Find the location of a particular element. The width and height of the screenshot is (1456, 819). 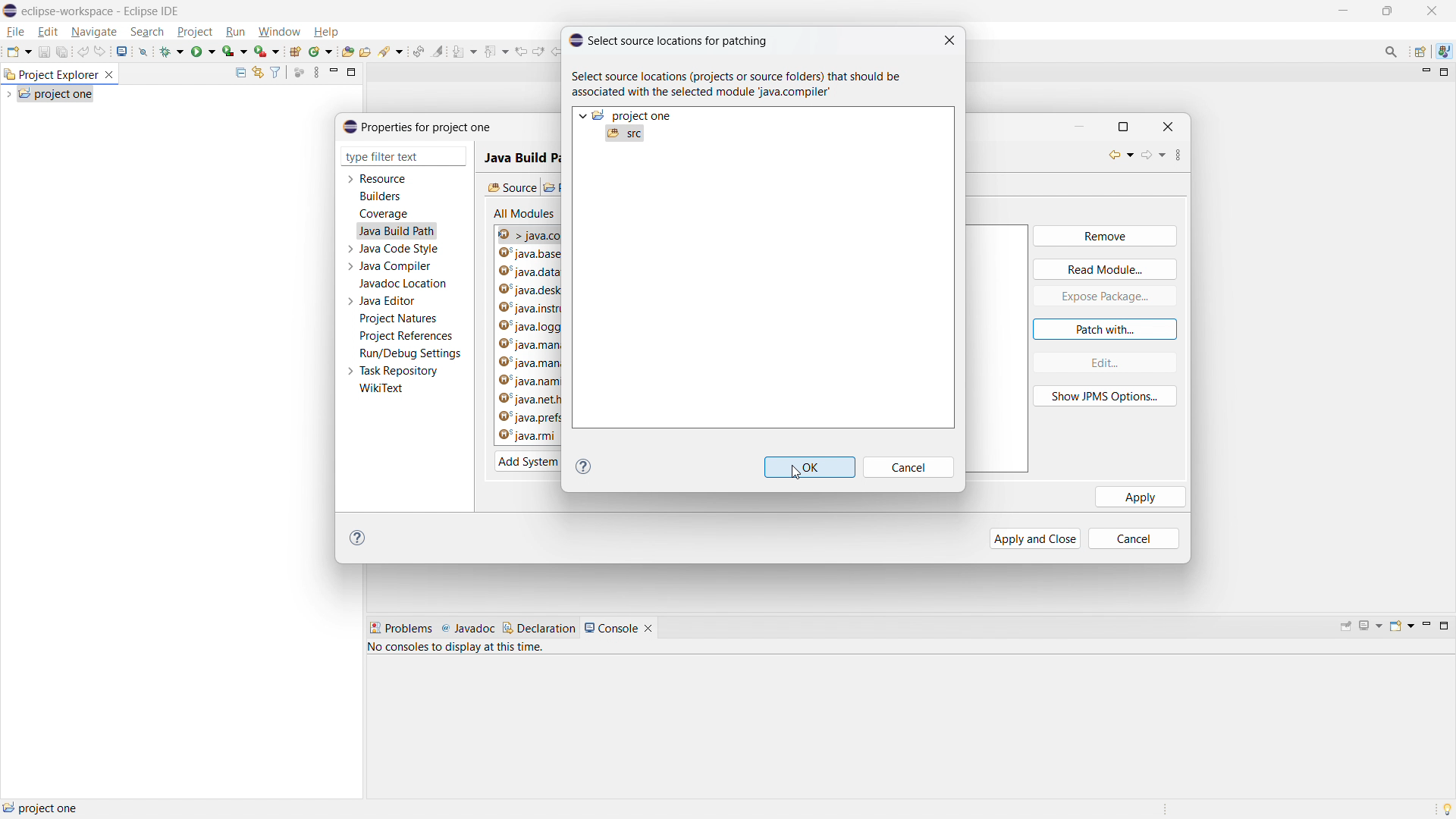

link to editor is located at coordinates (256, 73).